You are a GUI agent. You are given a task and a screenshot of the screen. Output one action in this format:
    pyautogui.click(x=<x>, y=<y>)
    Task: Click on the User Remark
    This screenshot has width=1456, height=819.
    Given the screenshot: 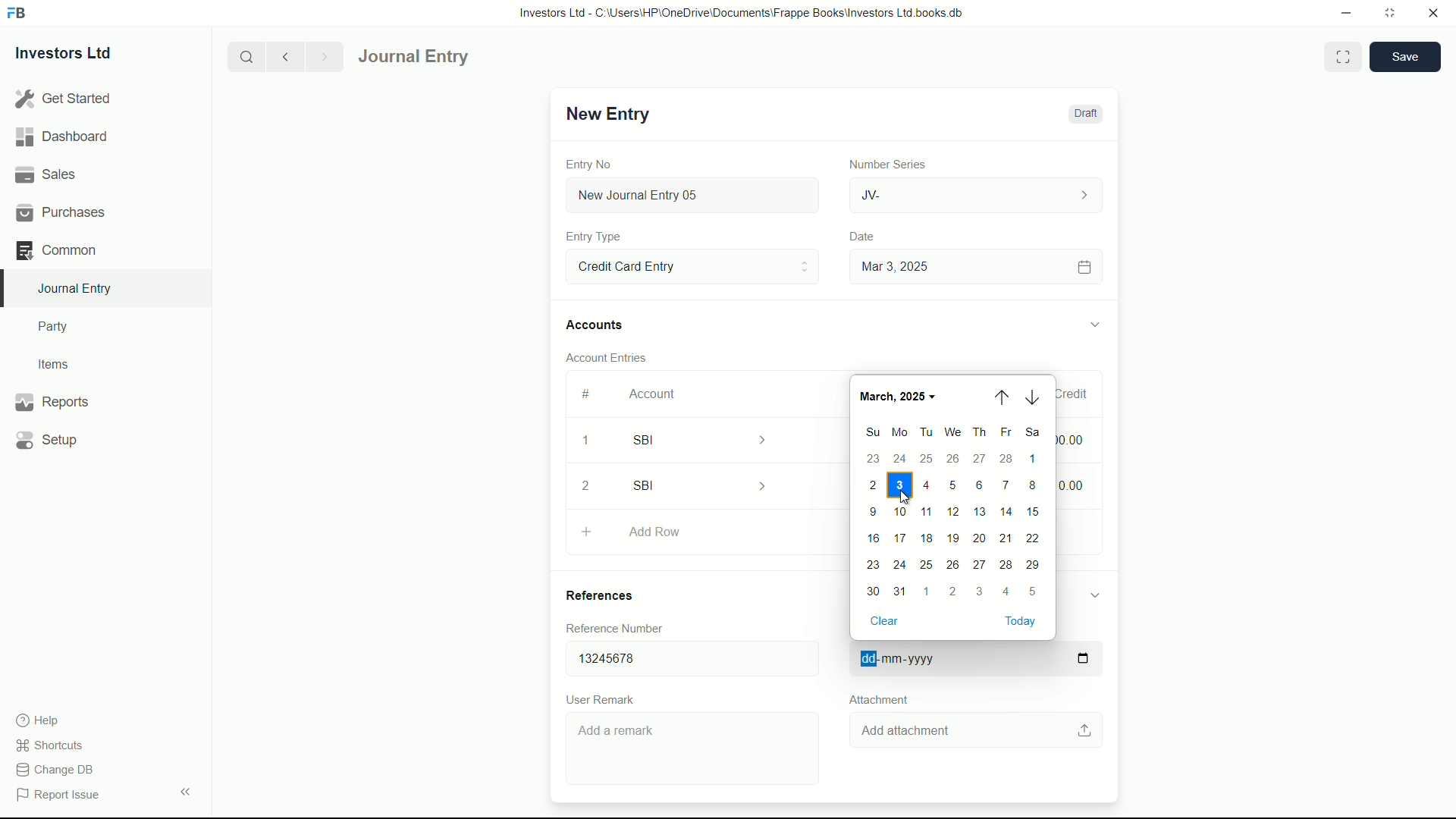 What is the action you would take?
    pyautogui.click(x=604, y=698)
    